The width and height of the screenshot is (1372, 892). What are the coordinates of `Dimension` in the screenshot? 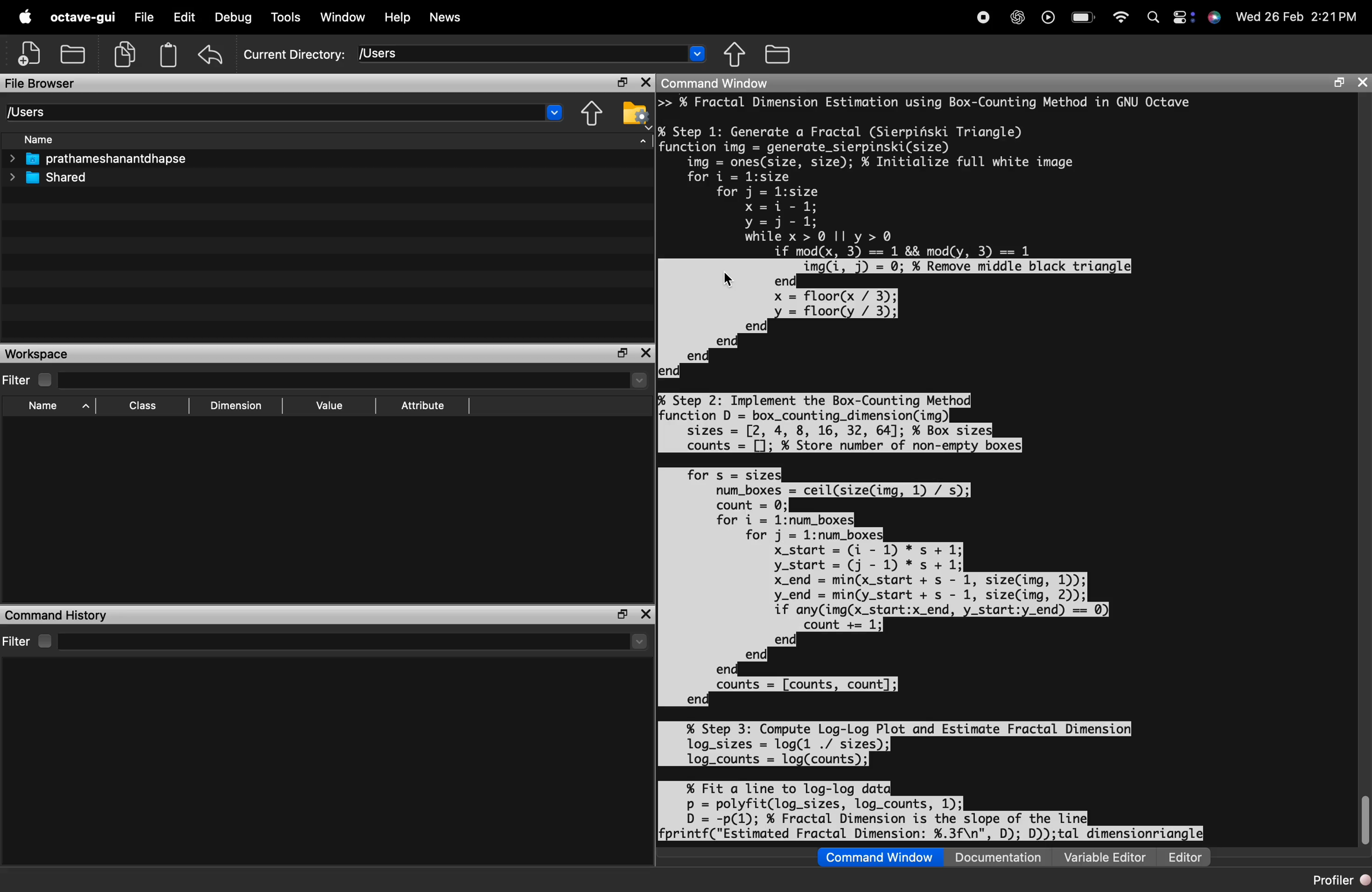 It's located at (239, 406).